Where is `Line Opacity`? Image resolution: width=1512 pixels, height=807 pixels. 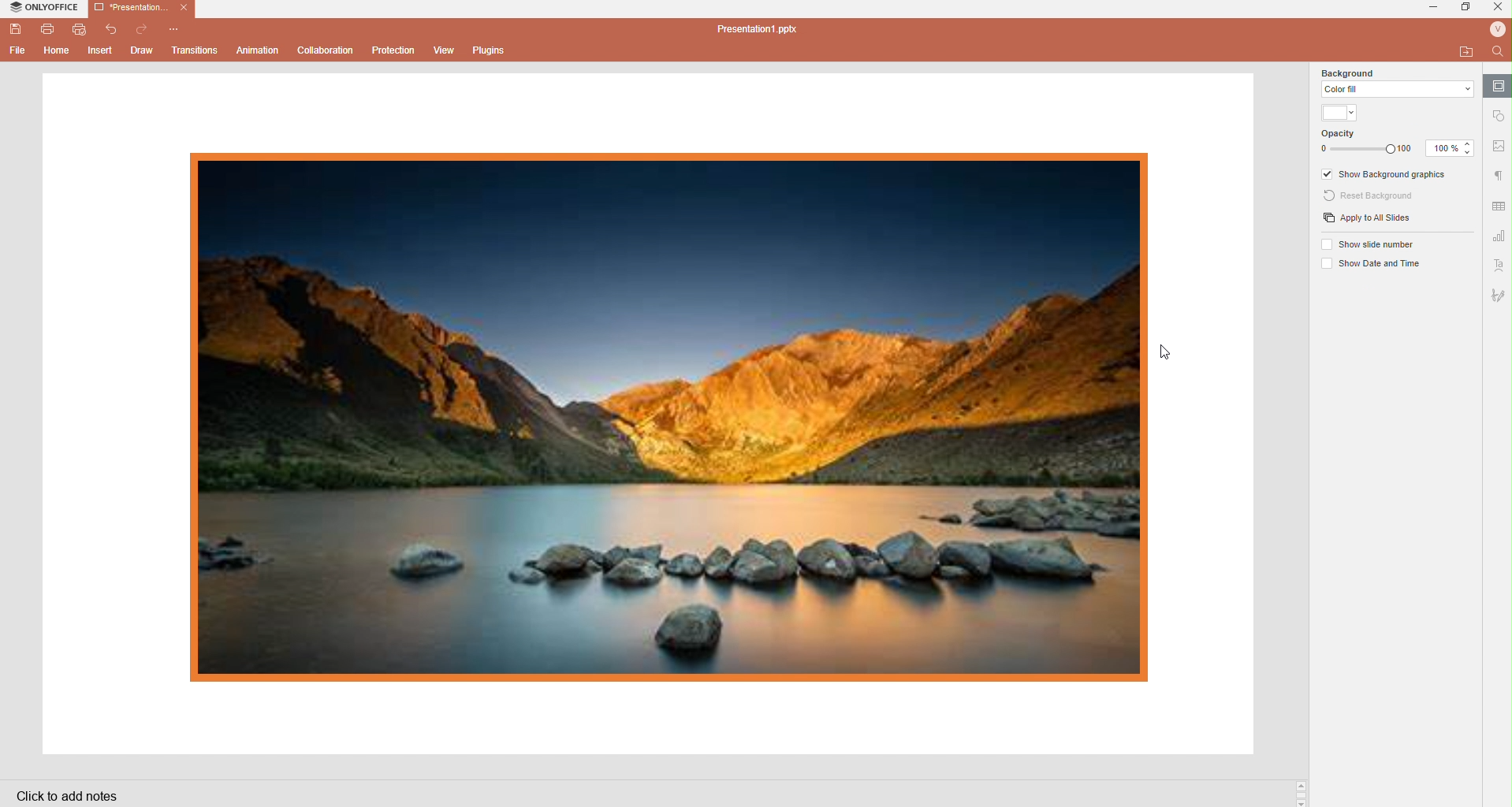 Line Opacity is located at coordinates (1367, 143).